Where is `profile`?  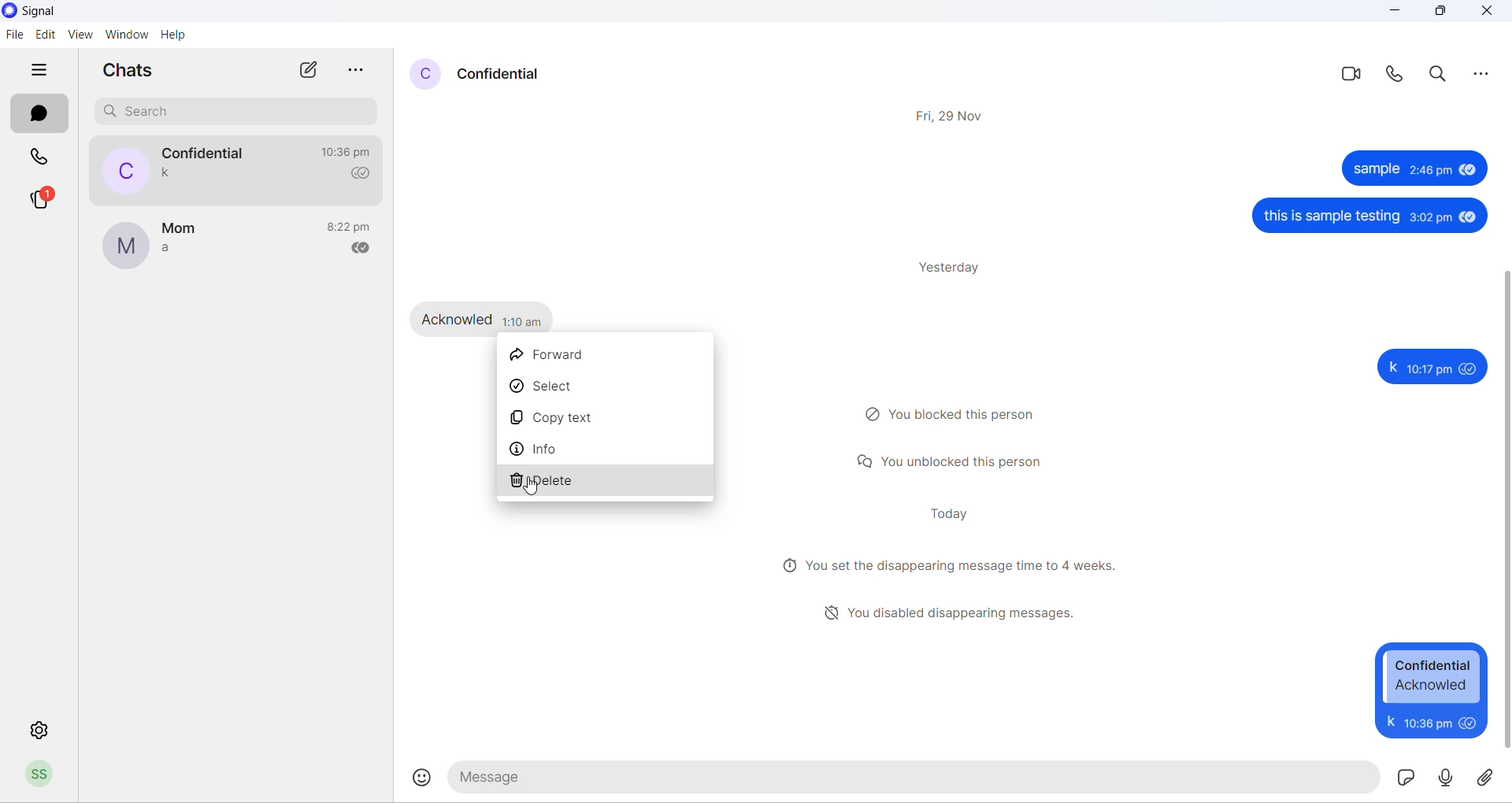
profile is located at coordinates (46, 775).